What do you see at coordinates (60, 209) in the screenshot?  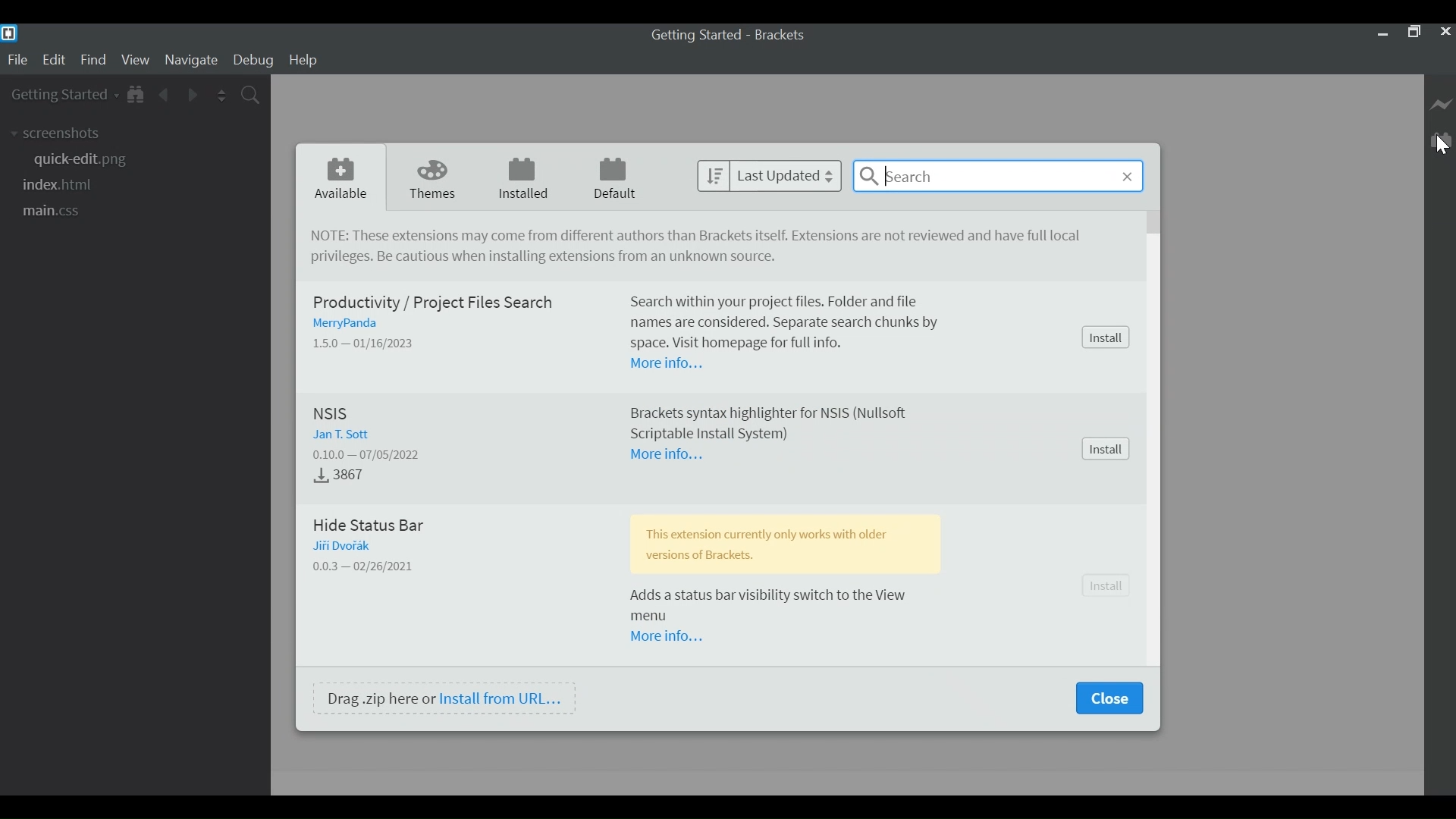 I see `main.css` at bounding box center [60, 209].